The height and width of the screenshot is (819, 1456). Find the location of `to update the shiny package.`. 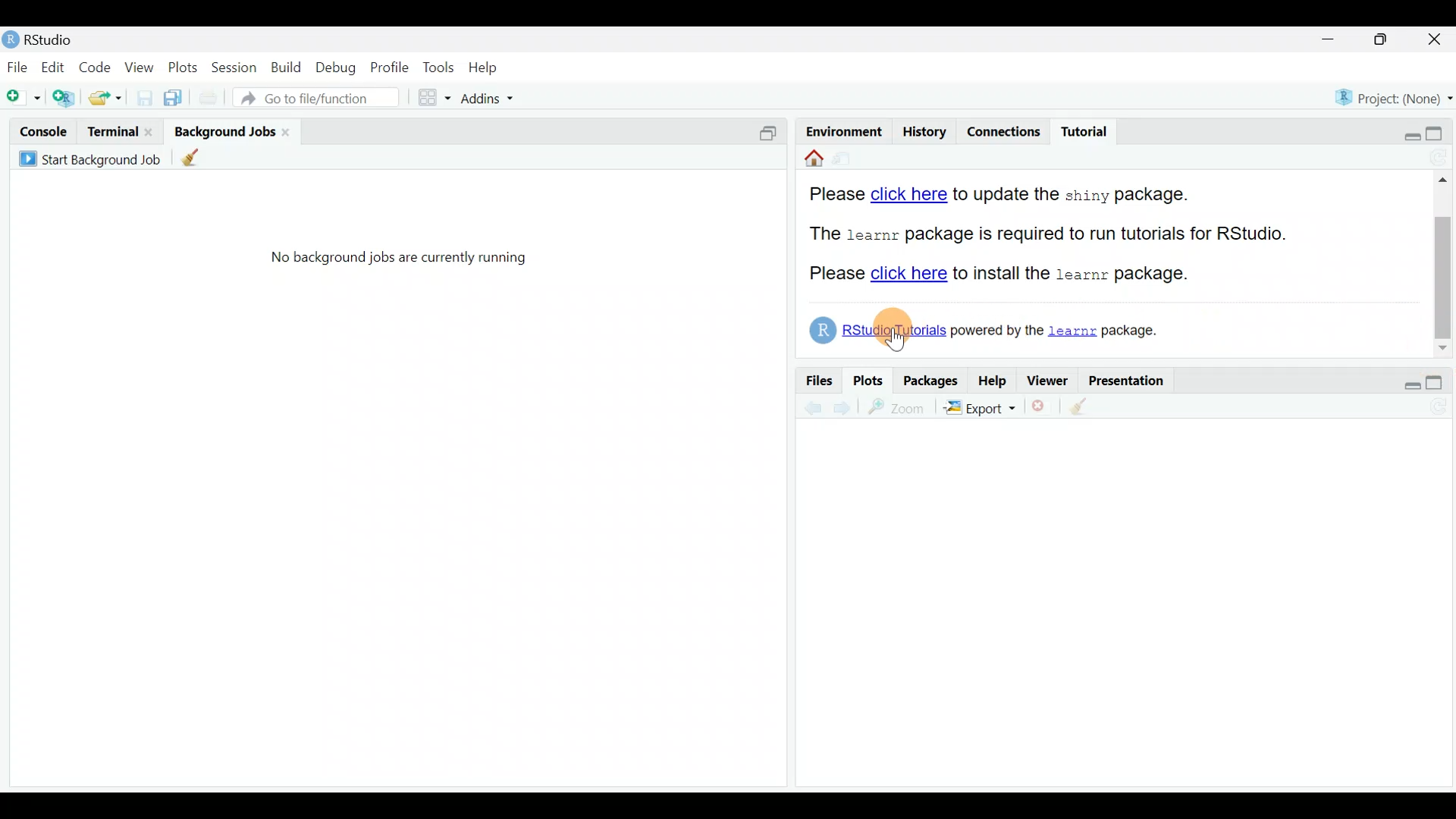

to update the shiny package. is located at coordinates (1078, 194).